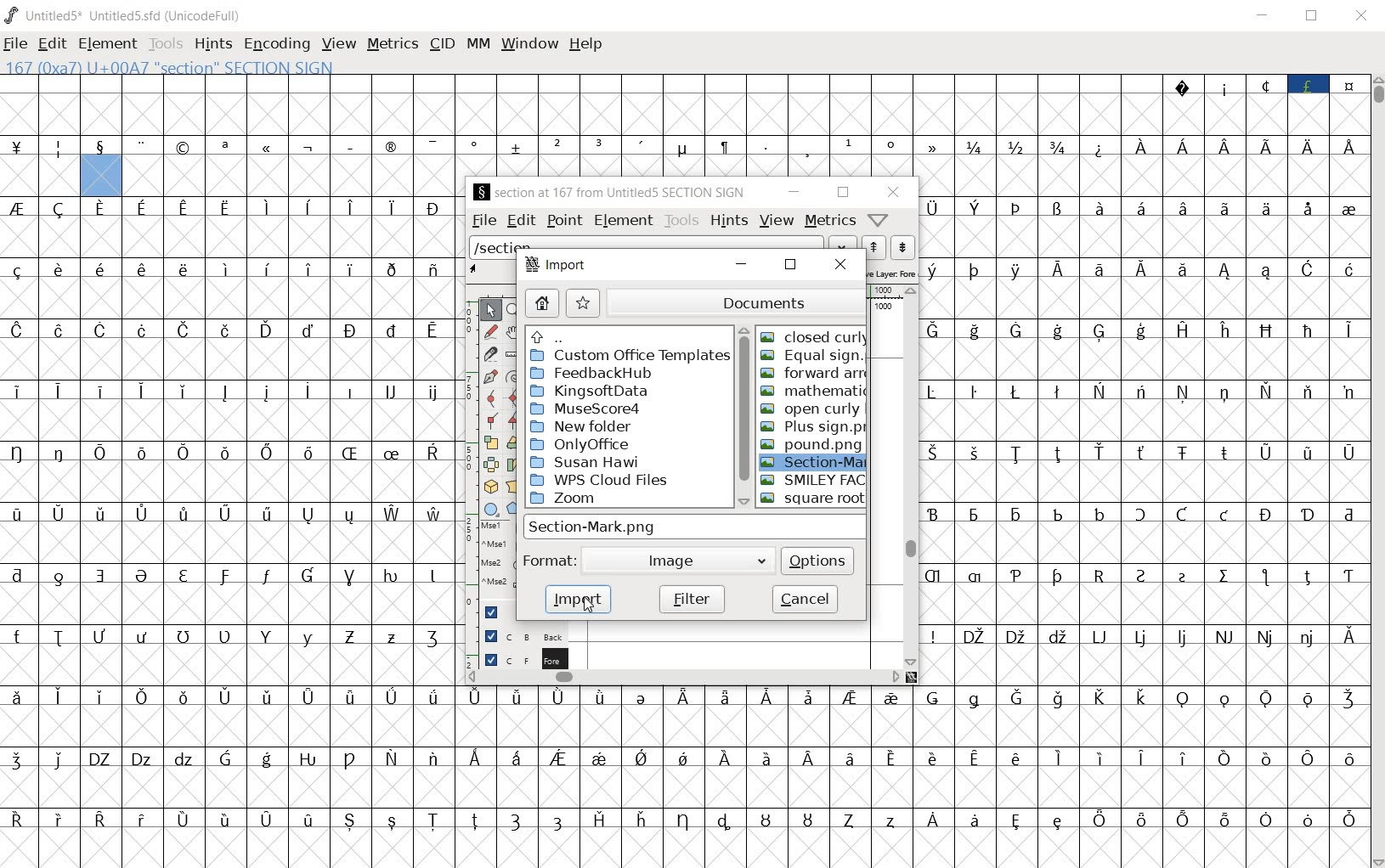 The width and height of the screenshot is (1385, 868). Describe the element at coordinates (232, 388) in the screenshot. I see `` at that location.